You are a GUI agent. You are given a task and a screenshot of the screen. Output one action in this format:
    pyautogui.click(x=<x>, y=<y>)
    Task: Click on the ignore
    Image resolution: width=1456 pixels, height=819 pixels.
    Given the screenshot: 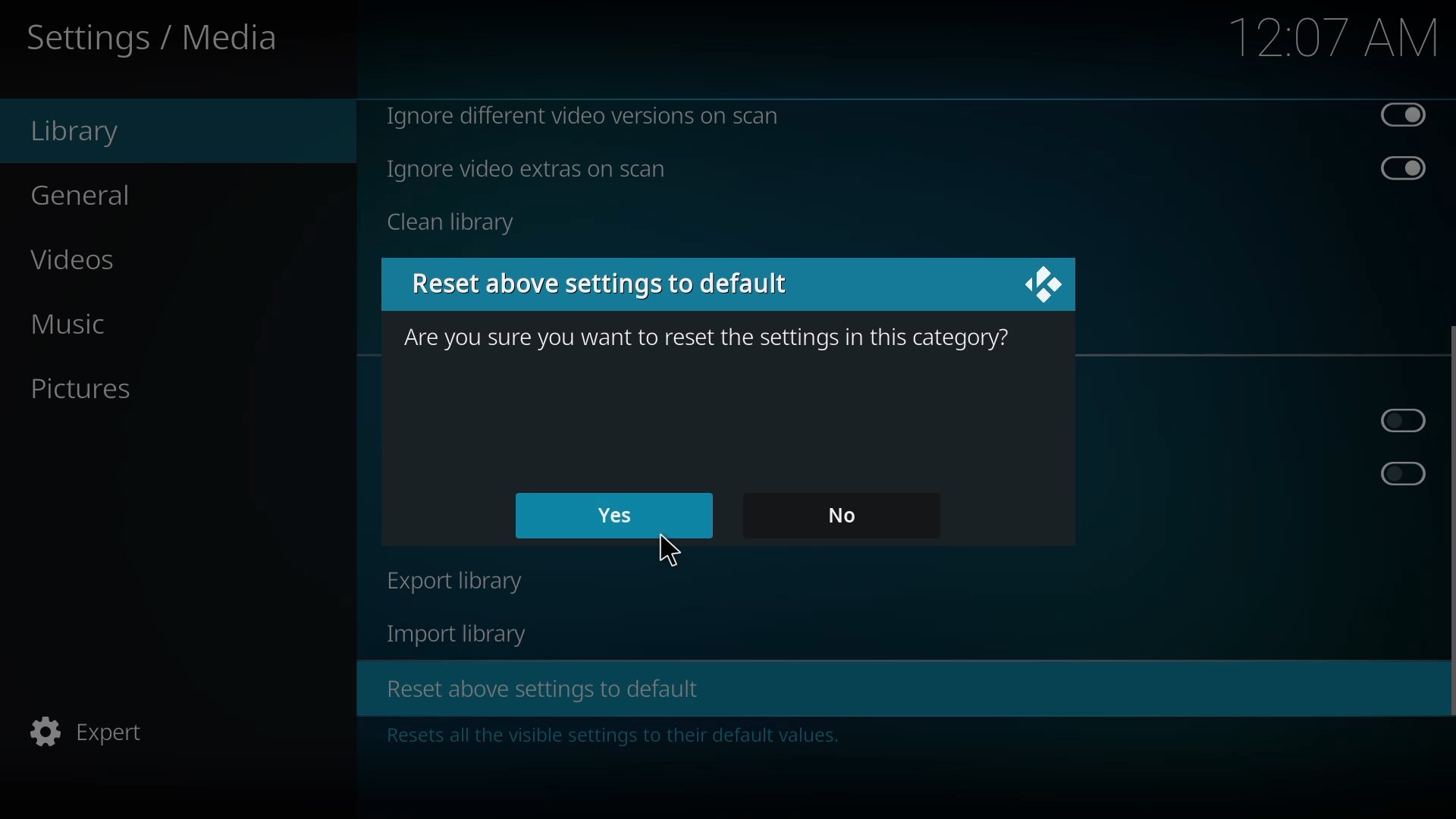 What is the action you would take?
    pyautogui.click(x=582, y=115)
    